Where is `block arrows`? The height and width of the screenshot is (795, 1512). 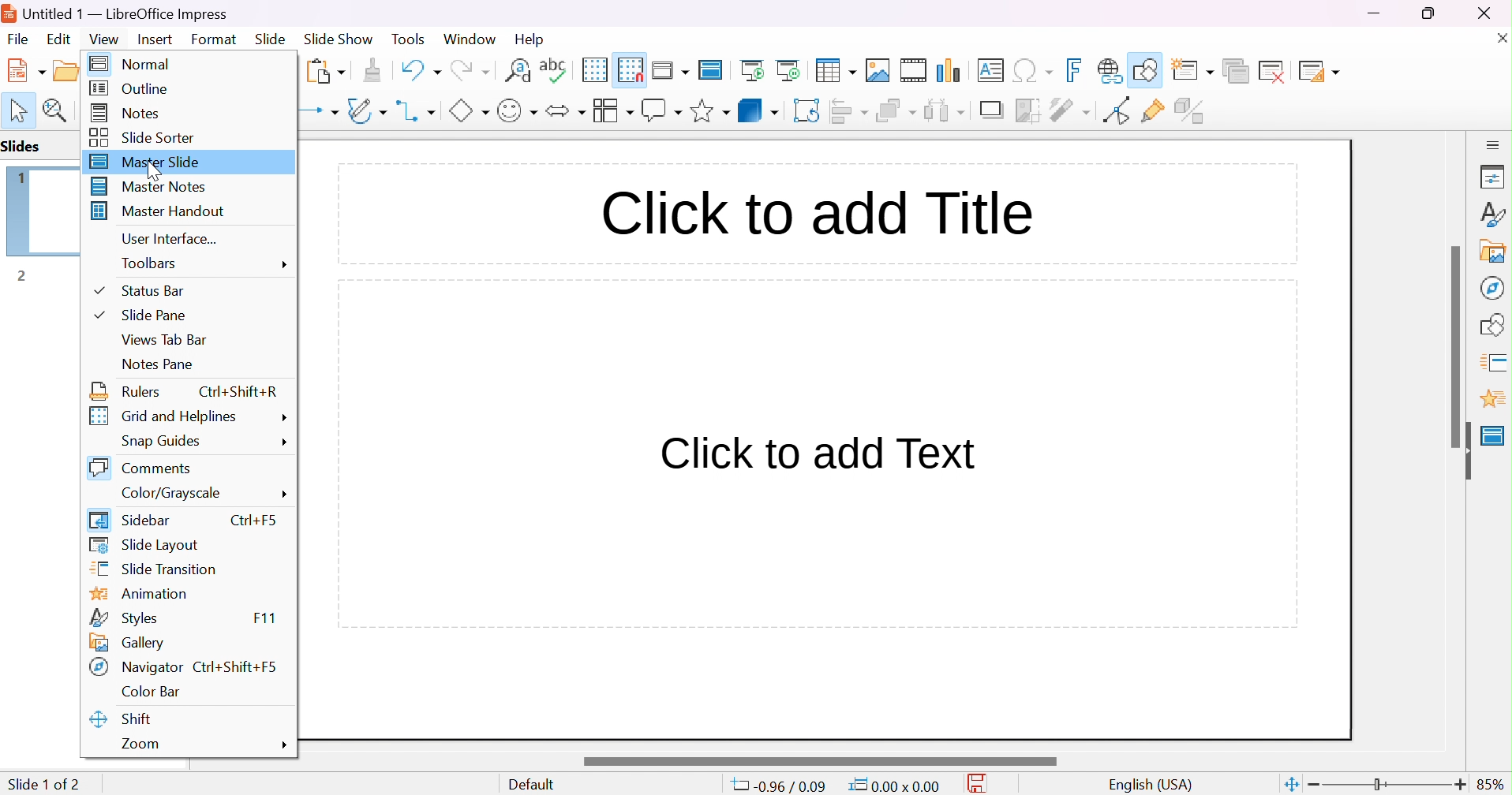 block arrows is located at coordinates (565, 110).